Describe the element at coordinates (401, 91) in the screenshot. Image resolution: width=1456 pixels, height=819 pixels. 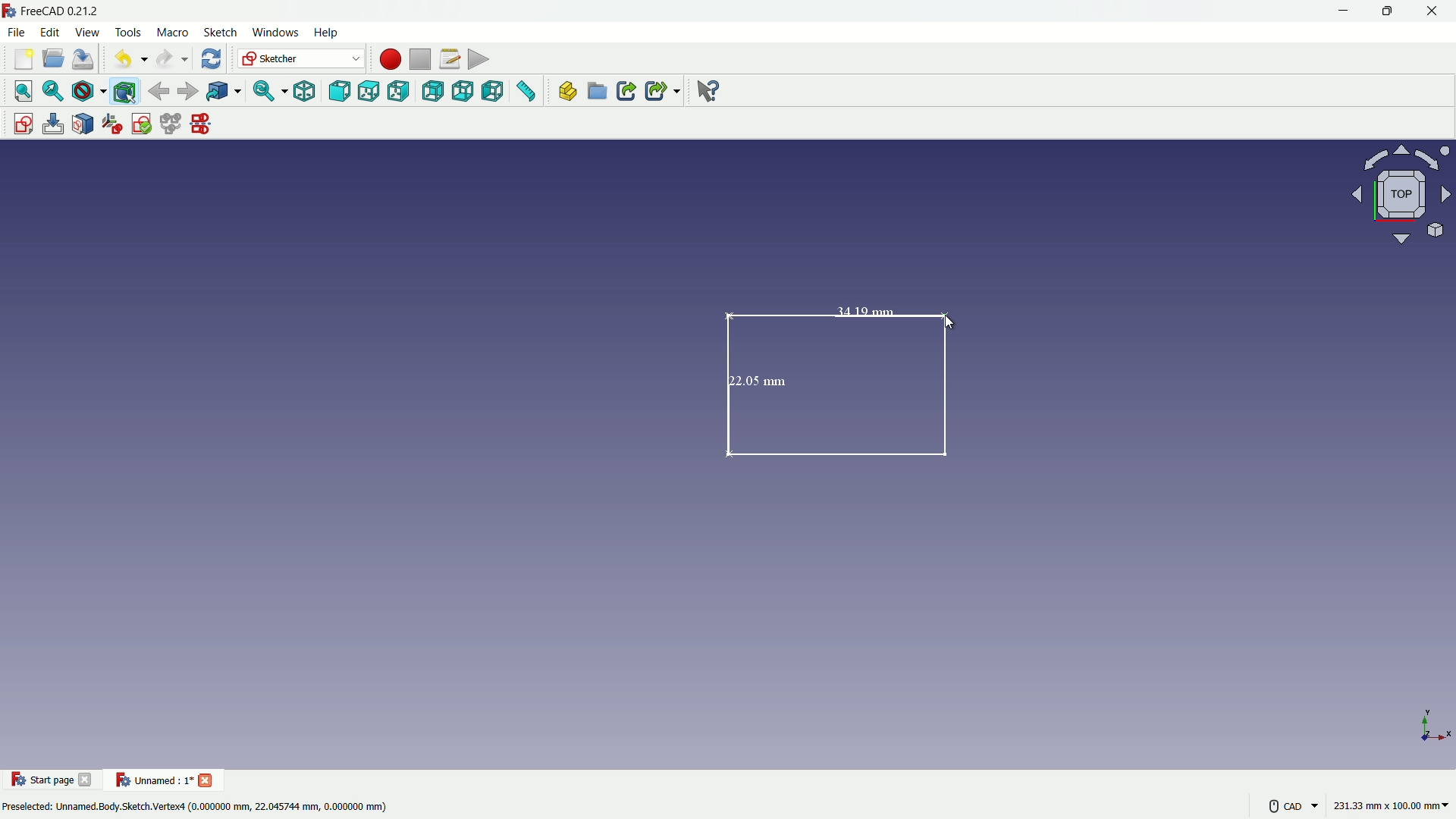
I see `right view` at that location.